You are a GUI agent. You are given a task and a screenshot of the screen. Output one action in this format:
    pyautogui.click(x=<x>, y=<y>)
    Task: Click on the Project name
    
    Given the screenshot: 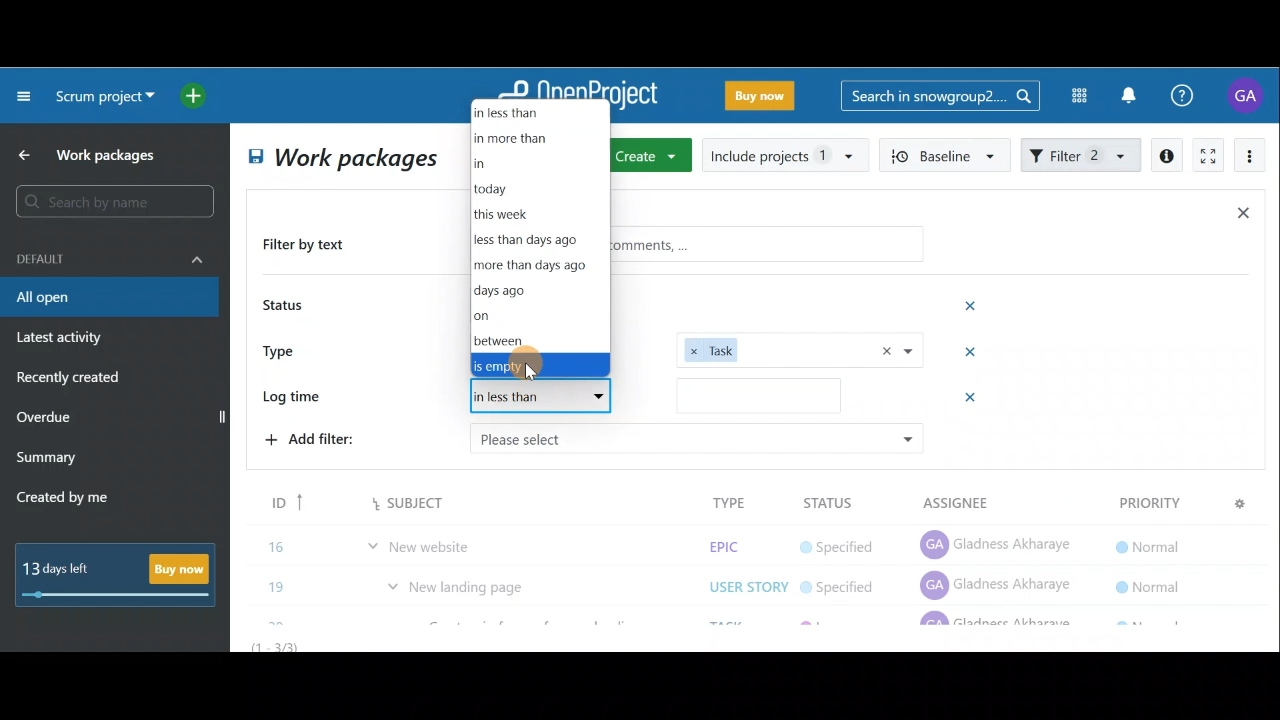 What is the action you would take?
    pyautogui.click(x=102, y=98)
    